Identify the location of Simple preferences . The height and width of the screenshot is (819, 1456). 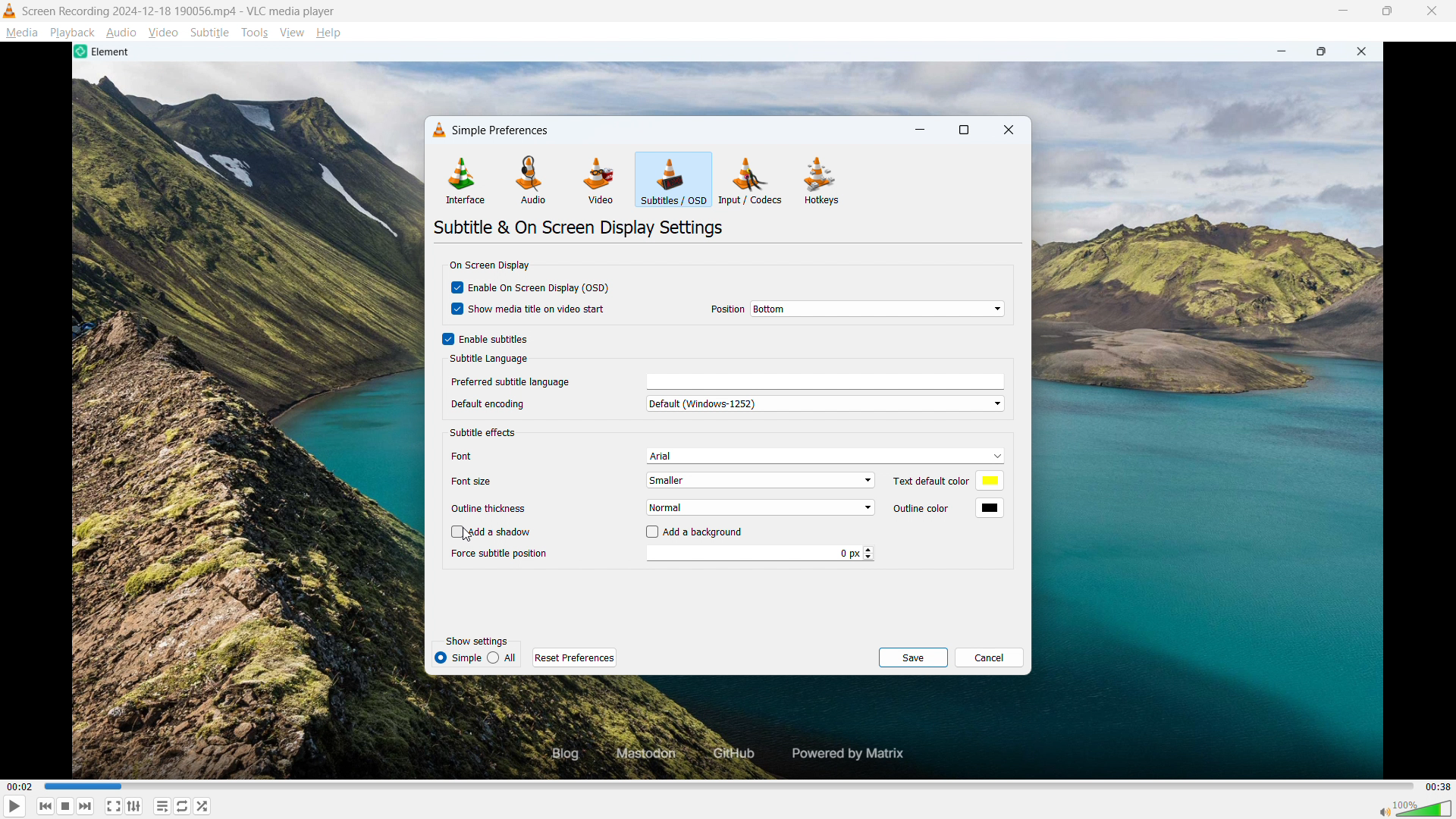
(500, 130).